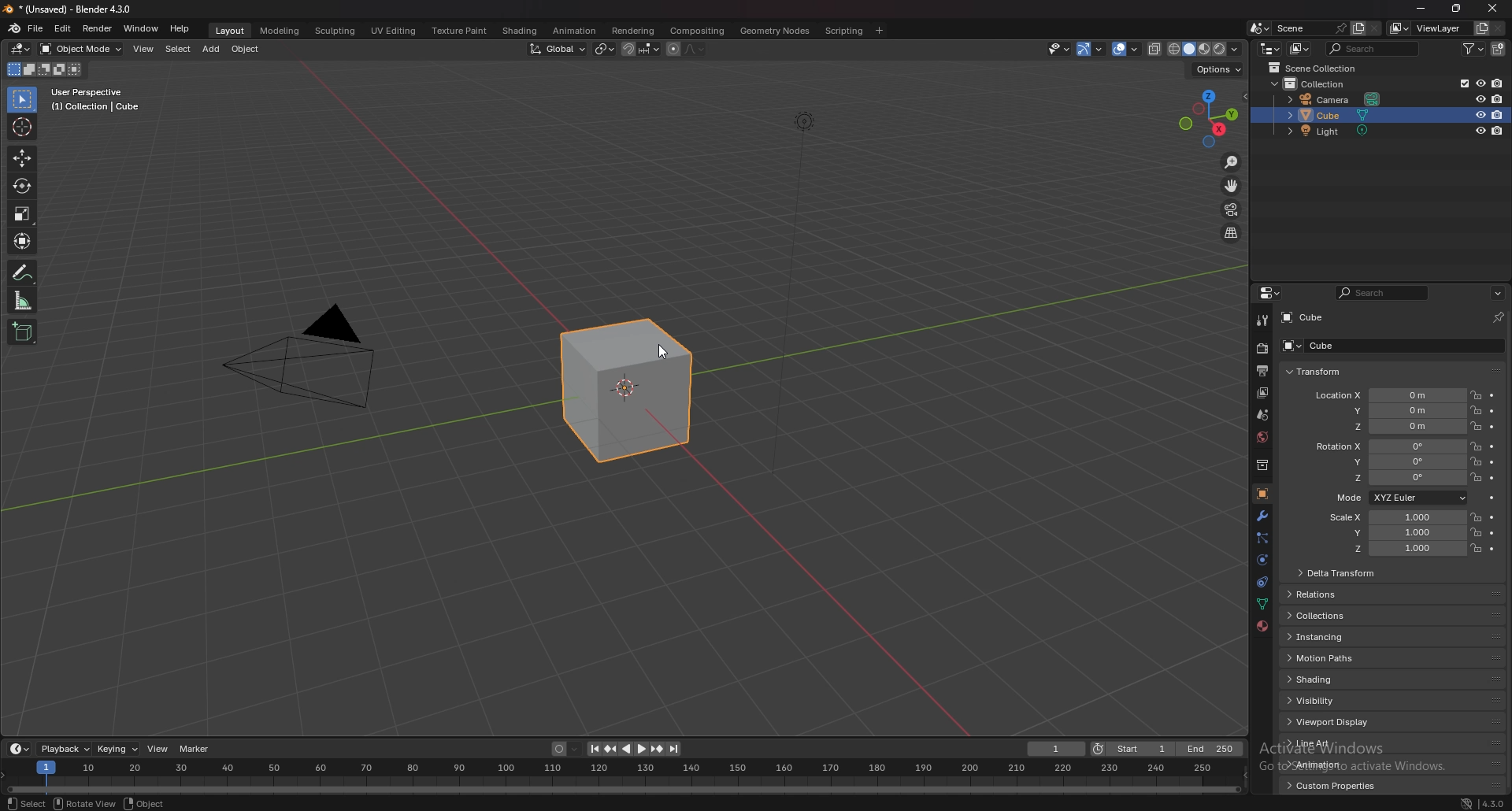  Describe the element at coordinates (1325, 617) in the screenshot. I see `collections` at that location.